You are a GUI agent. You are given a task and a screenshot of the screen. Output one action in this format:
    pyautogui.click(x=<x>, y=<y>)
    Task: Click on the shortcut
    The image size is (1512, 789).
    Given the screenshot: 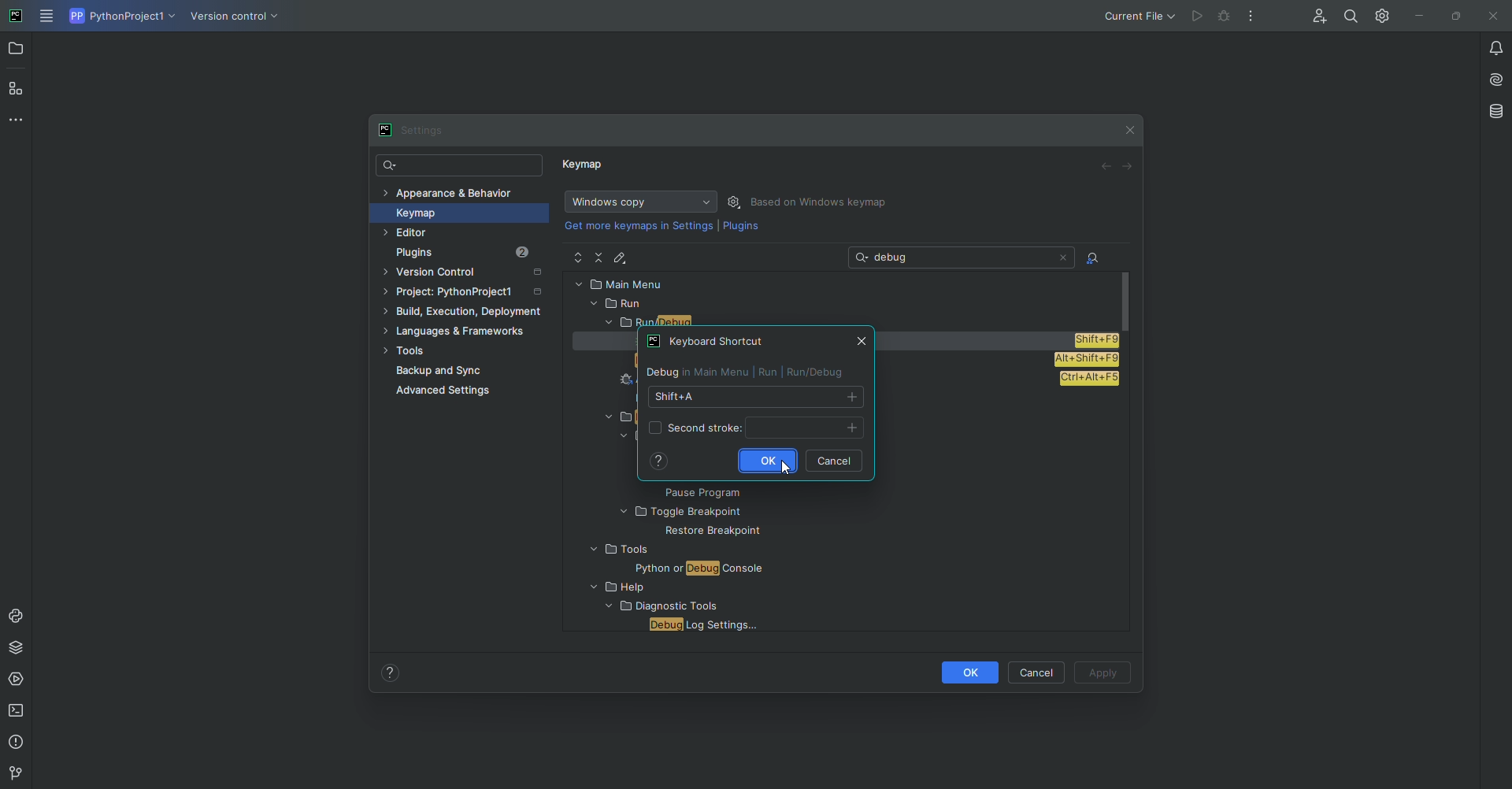 What is the action you would take?
    pyautogui.click(x=1090, y=378)
    